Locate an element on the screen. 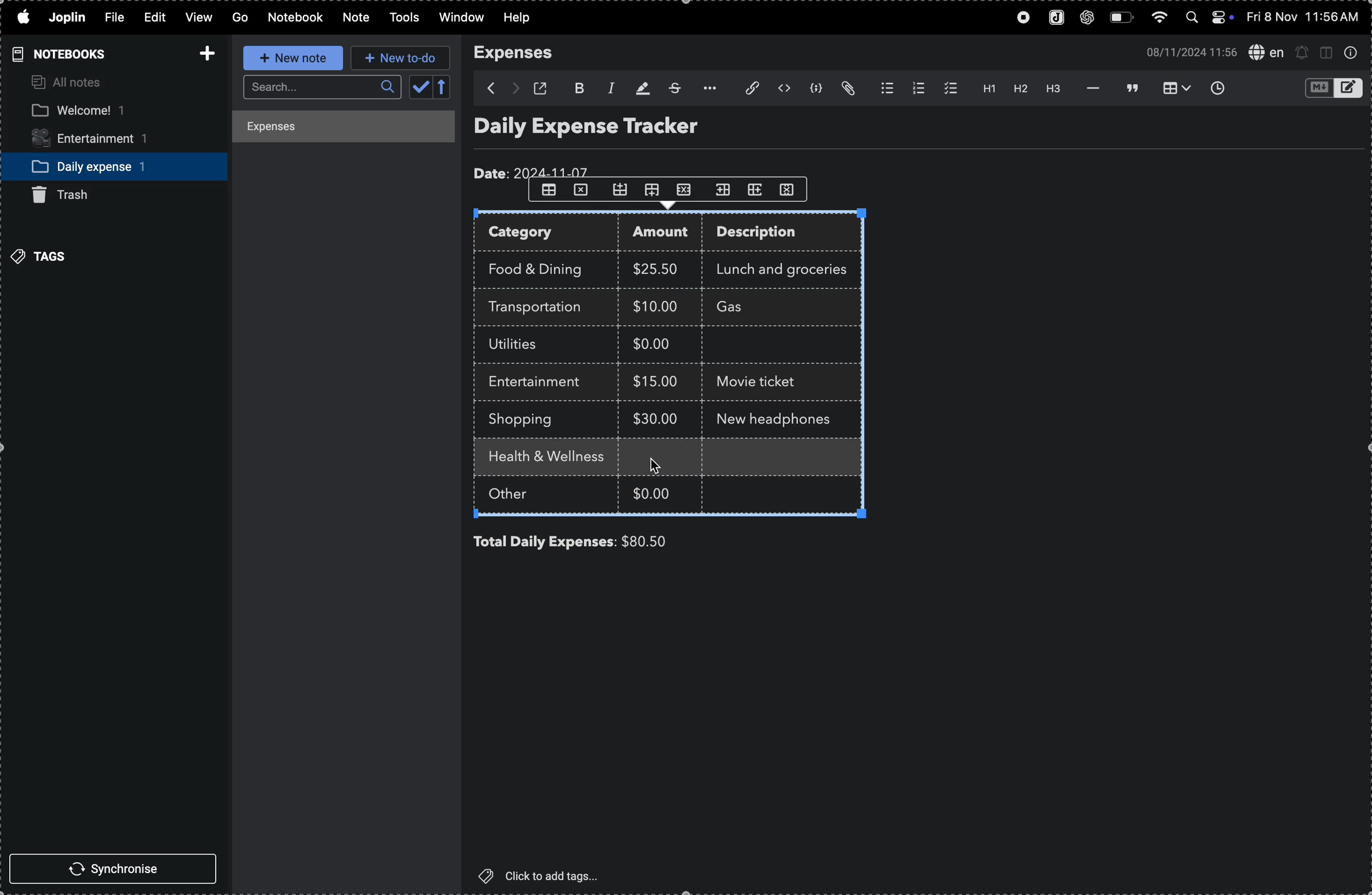  blockquote is located at coordinates (1129, 88).